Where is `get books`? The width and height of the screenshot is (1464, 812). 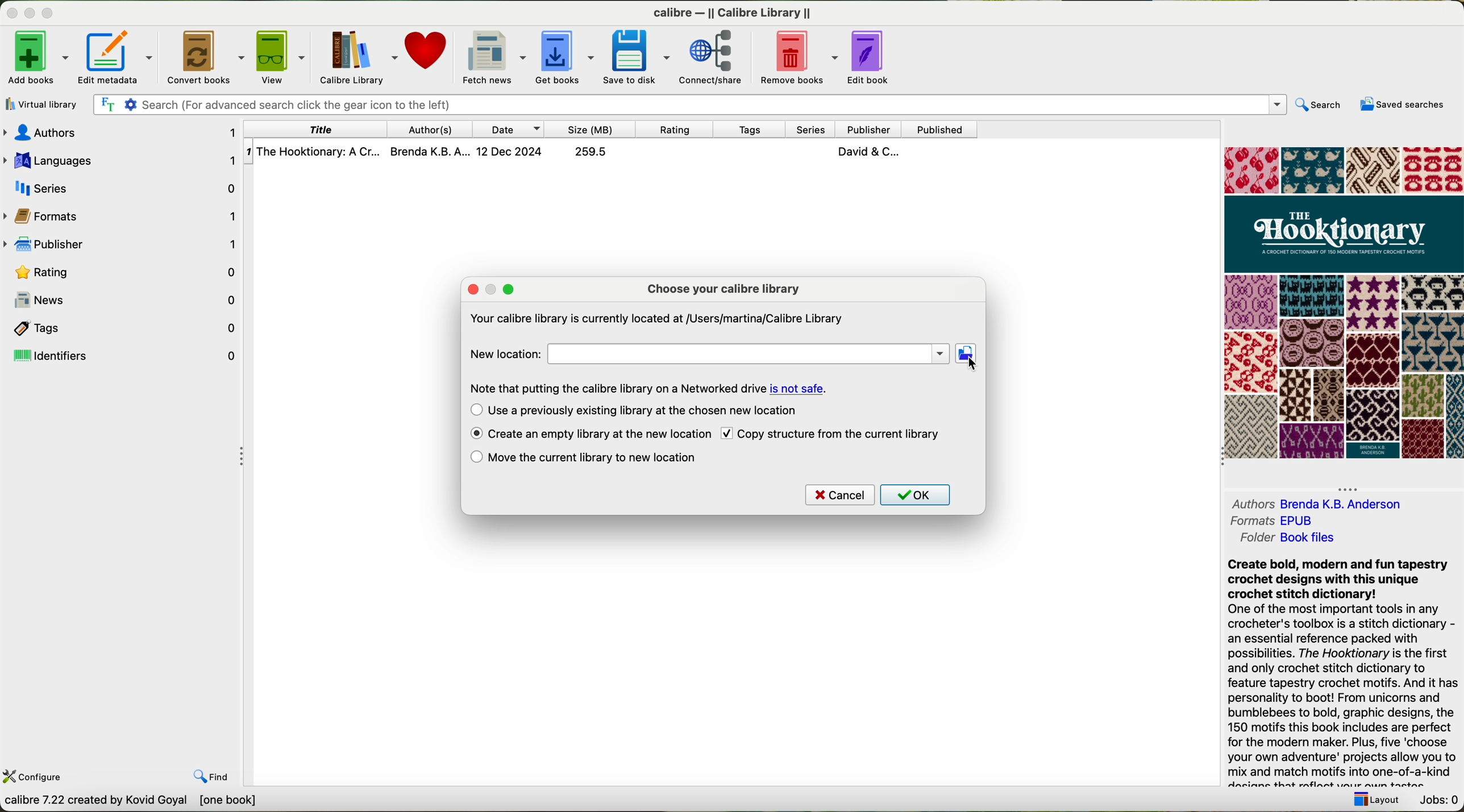 get books is located at coordinates (565, 57).